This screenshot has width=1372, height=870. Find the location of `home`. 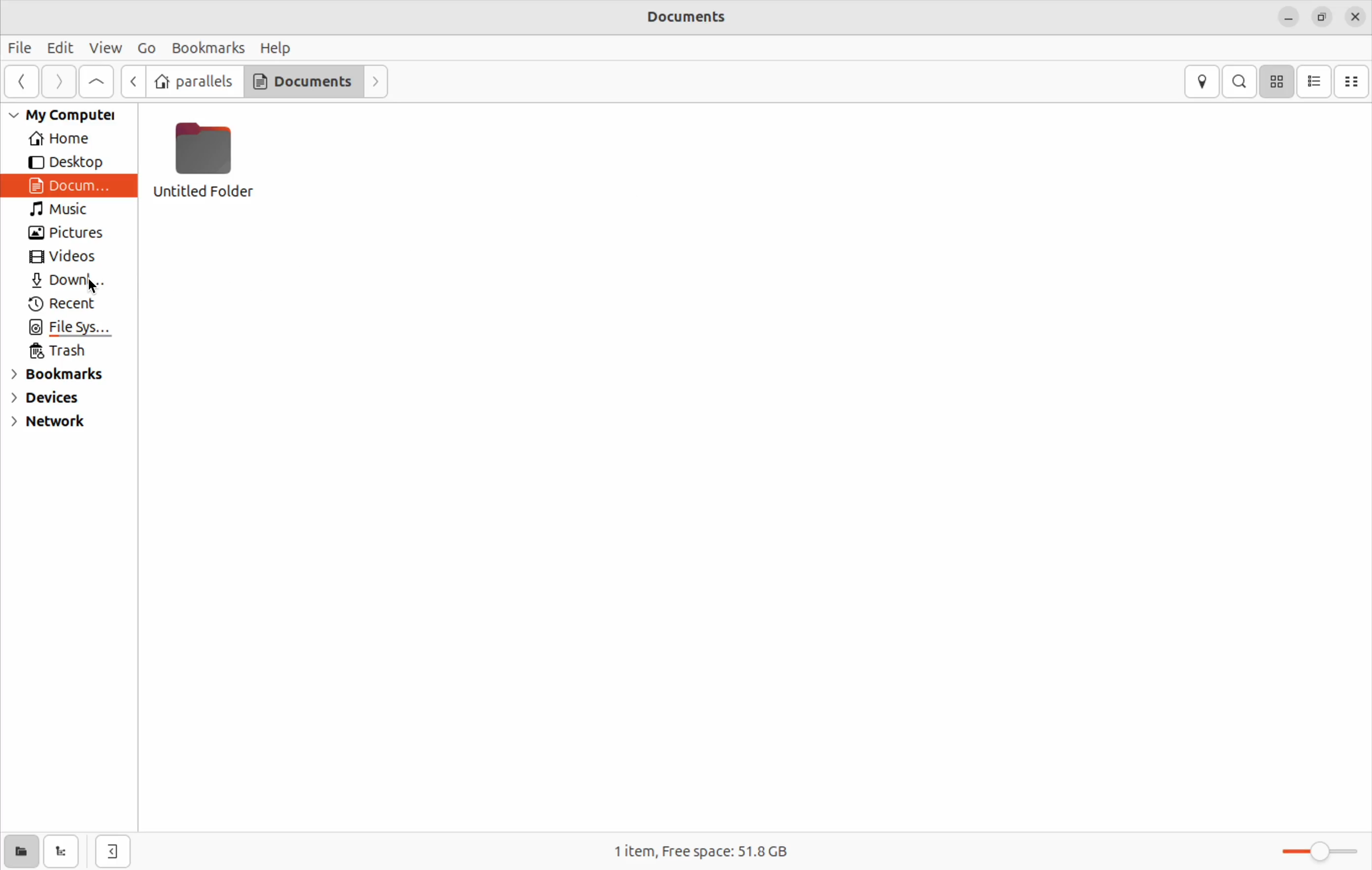

home is located at coordinates (66, 140).